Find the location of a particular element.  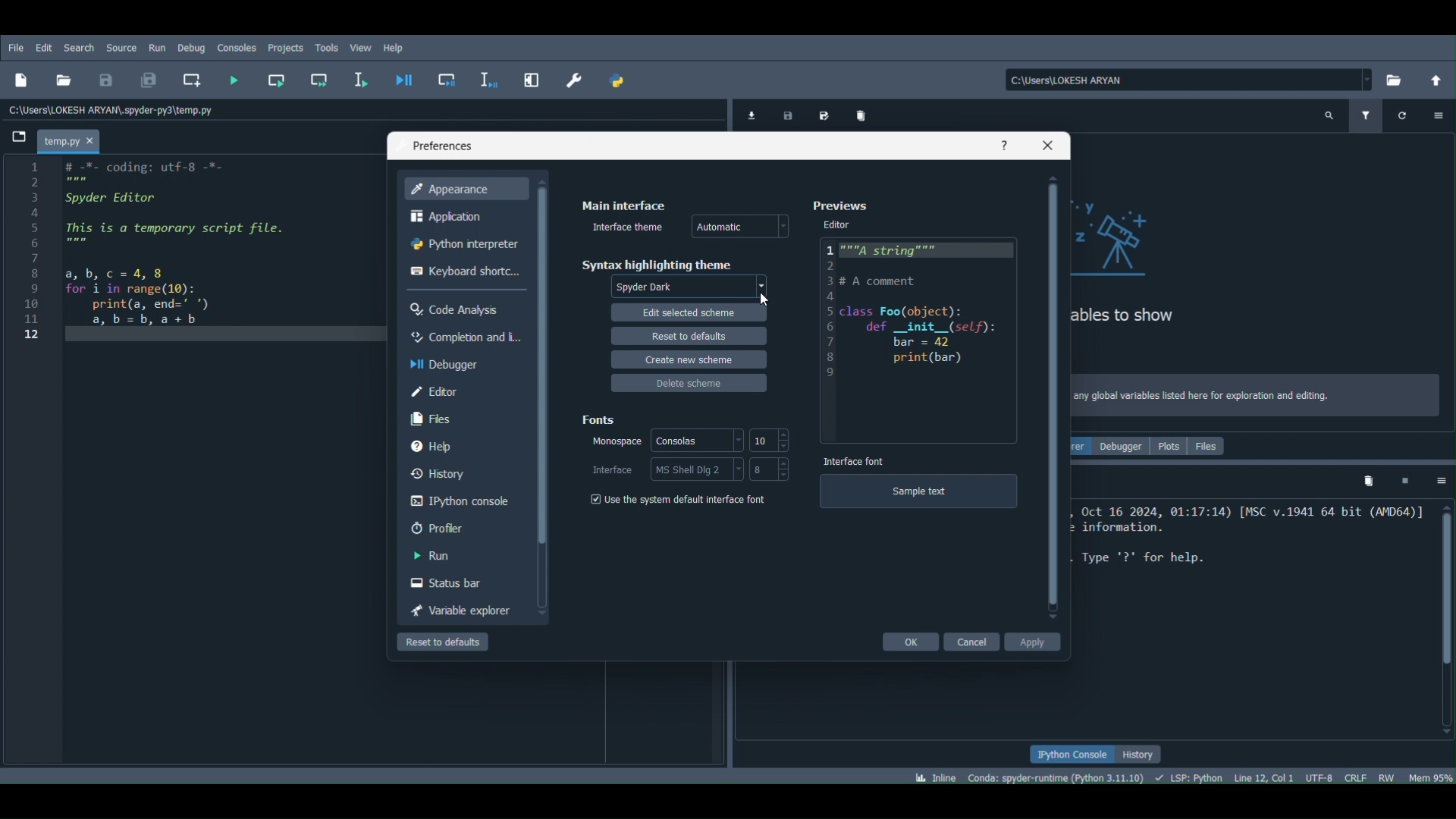

Remove all variables is located at coordinates (868, 120).